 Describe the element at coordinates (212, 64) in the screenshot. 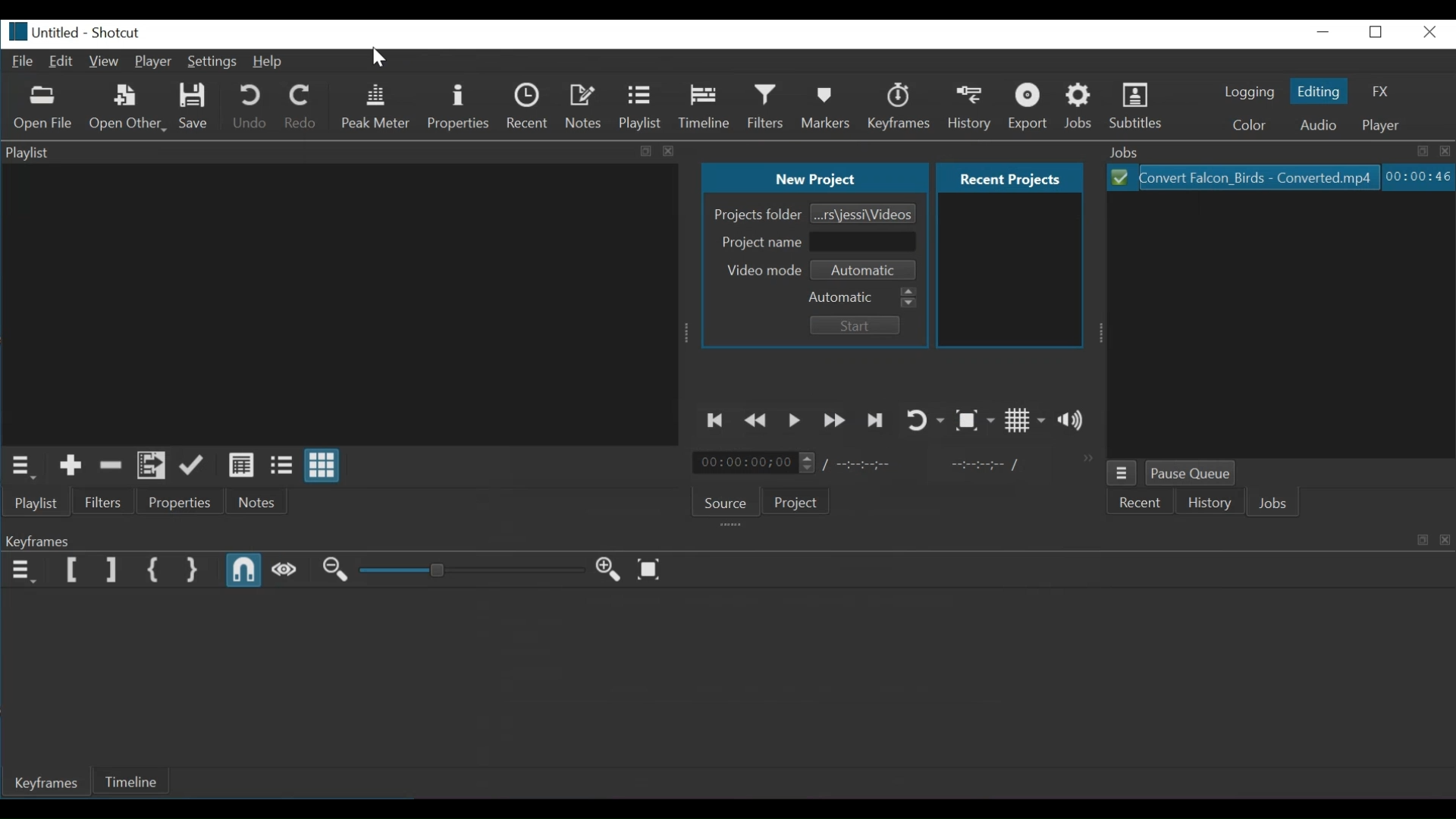

I see `Settings` at that location.